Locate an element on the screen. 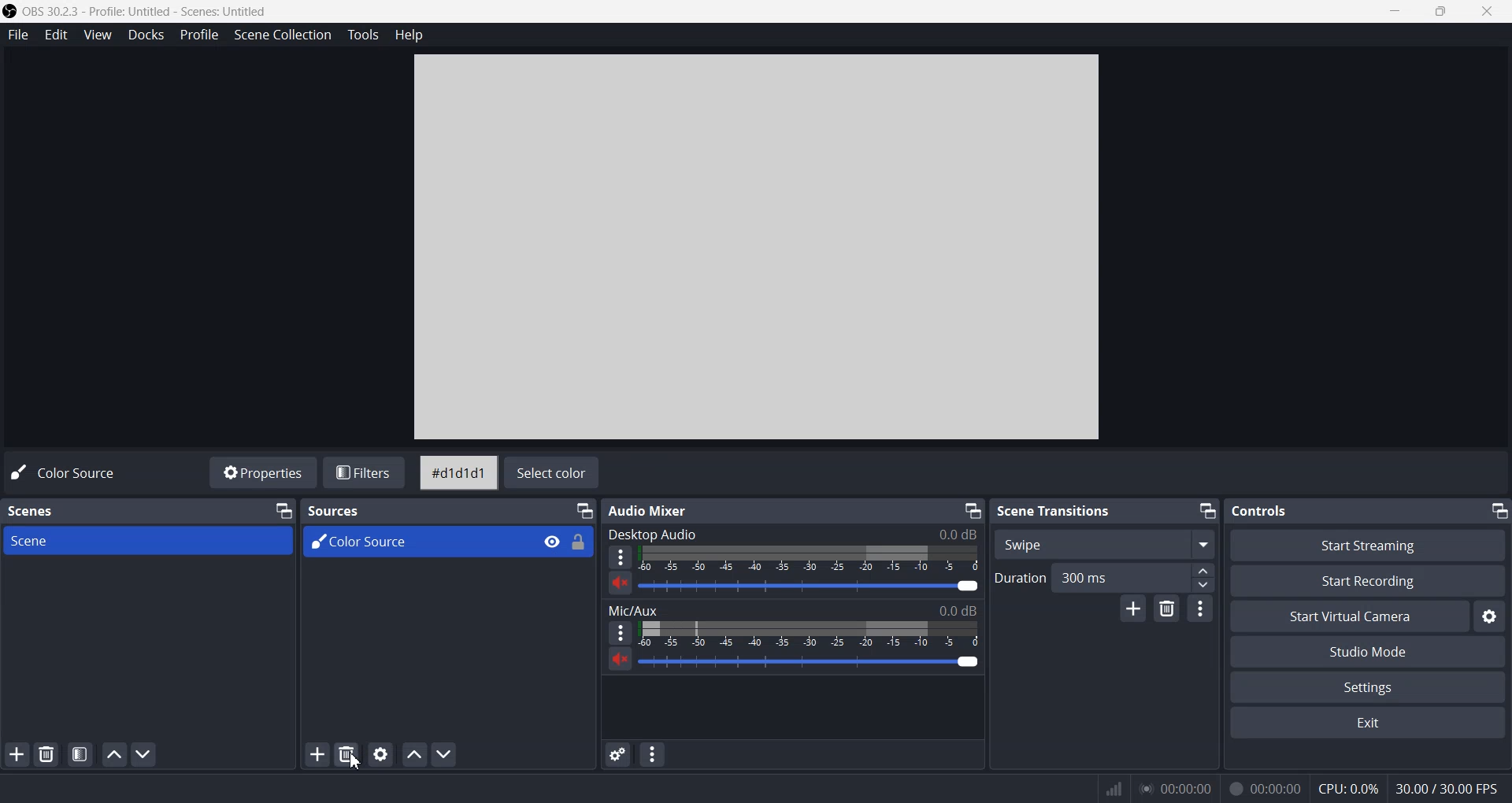 This screenshot has height=803, width=1512. Duration is located at coordinates (1020, 576).